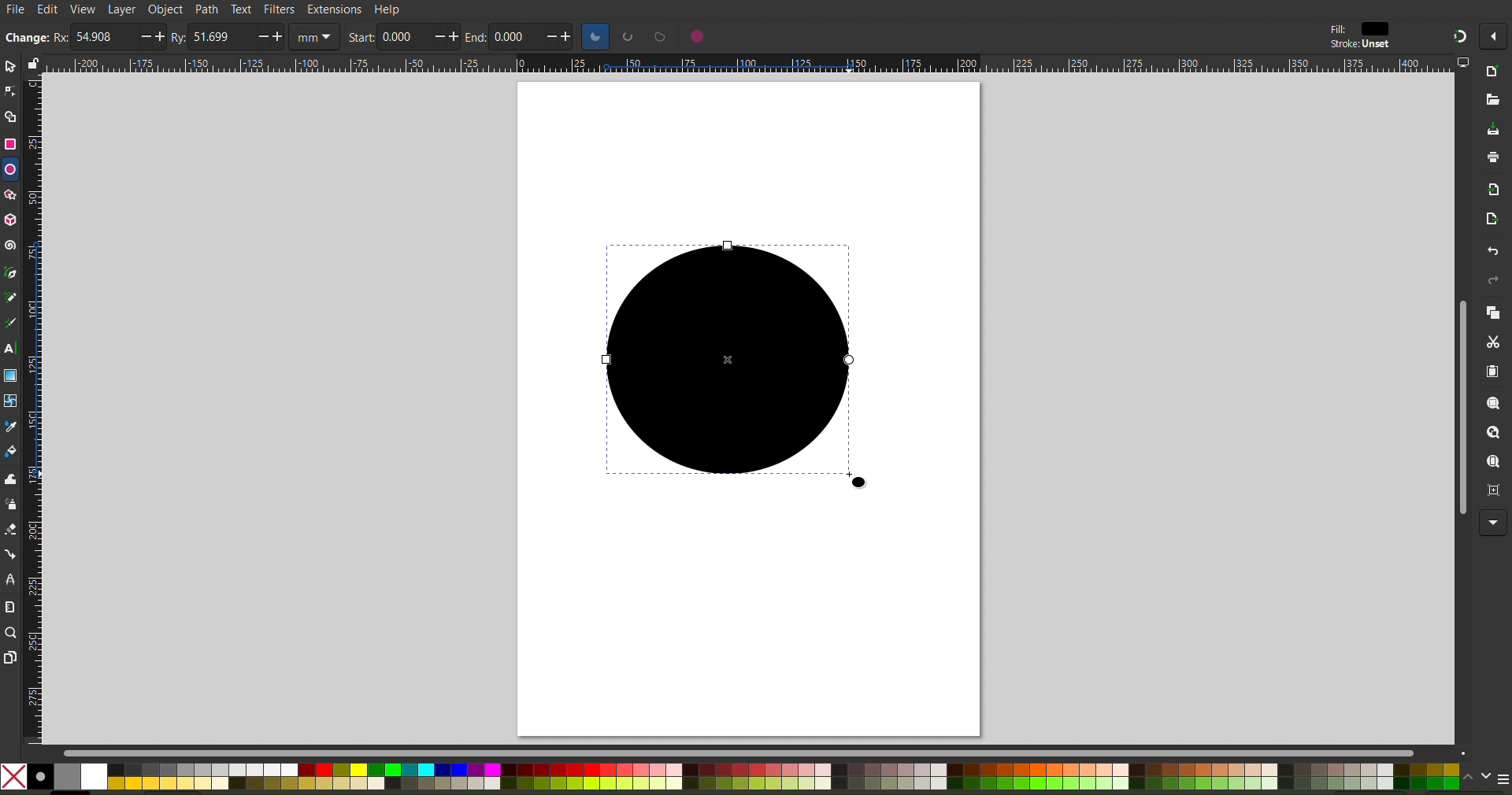 The width and height of the screenshot is (1512, 795). What do you see at coordinates (1493, 523) in the screenshot?
I see `More Options` at bounding box center [1493, 523].